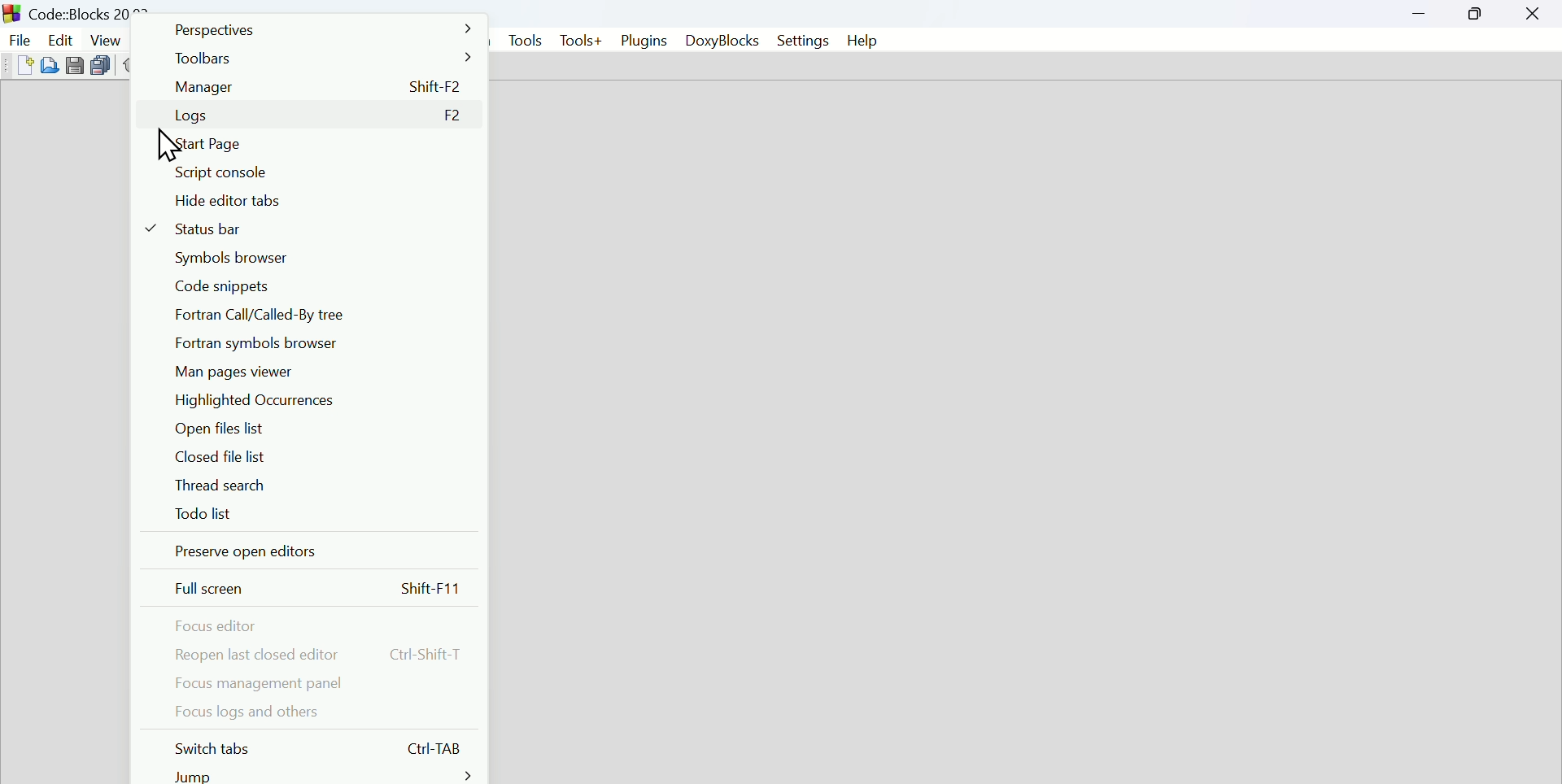 The height and width of the screenshot is (784, 1562). What do you see at coordinates (321, 399) in the screenshot?
I see `Highlighted occurrences` at bounding box center [321, 399].